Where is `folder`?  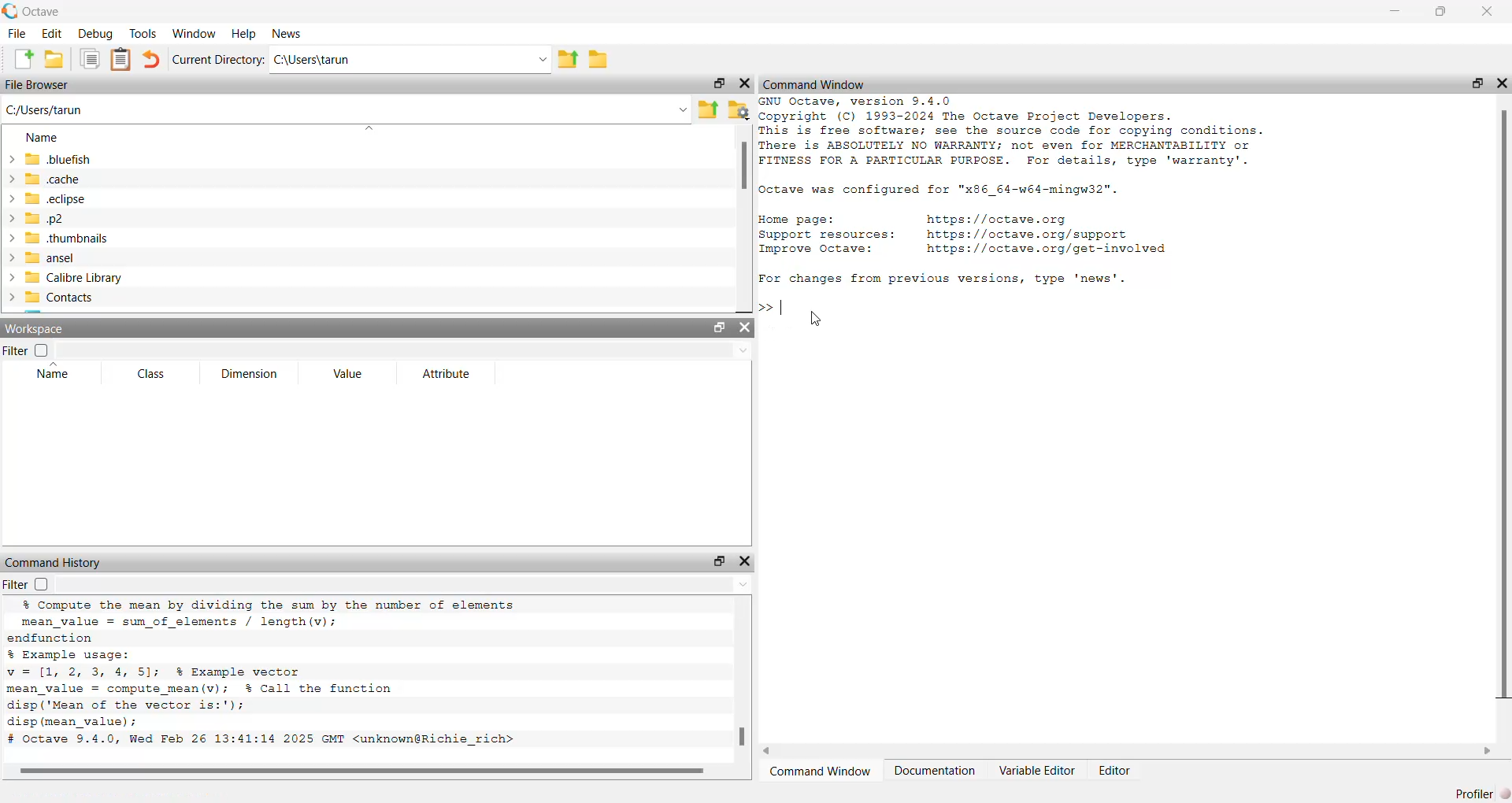 folder is located at coordinates (600, 60).